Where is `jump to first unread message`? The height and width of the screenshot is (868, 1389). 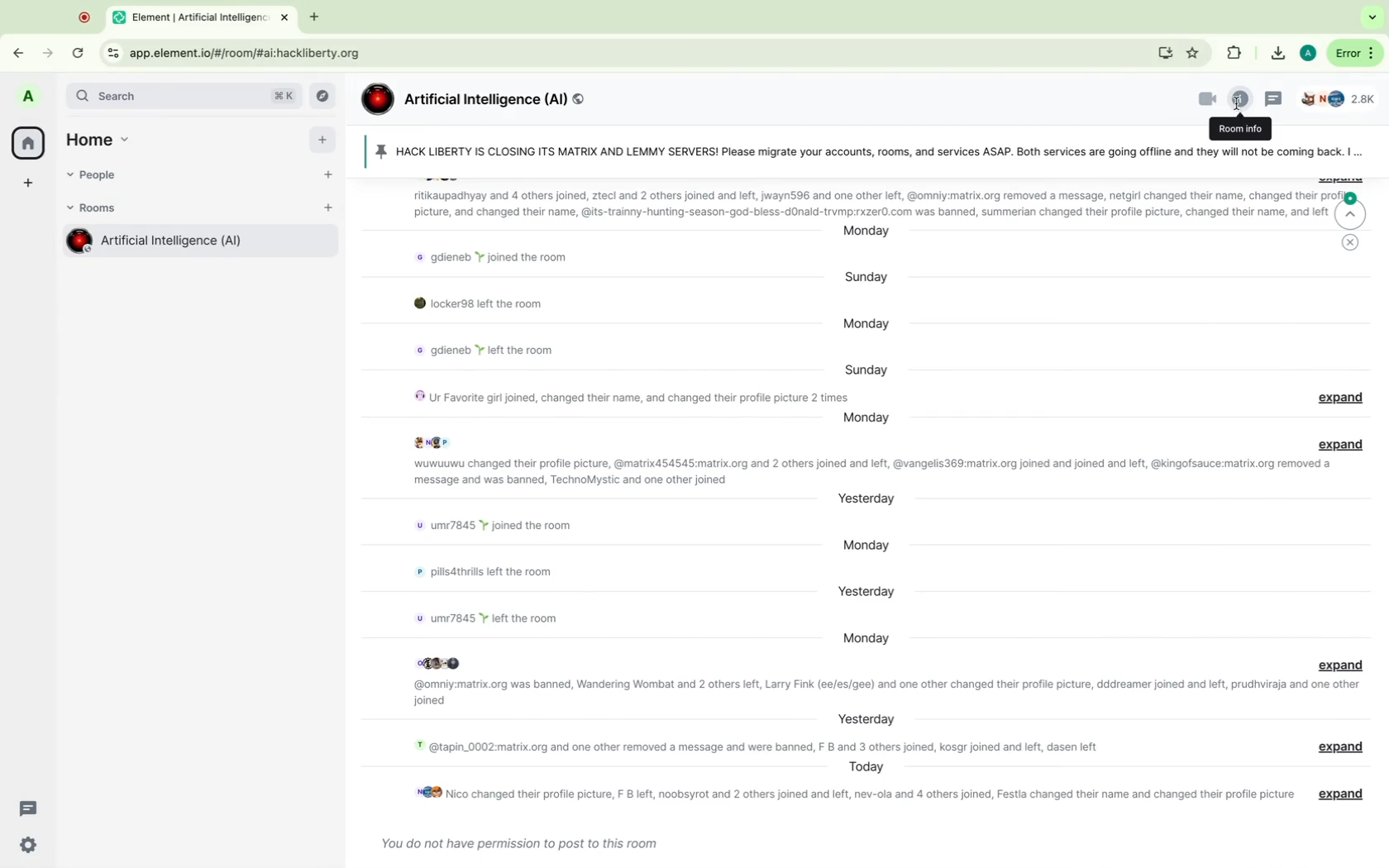
jump to first unread message is located at coordinates (1356, 210).